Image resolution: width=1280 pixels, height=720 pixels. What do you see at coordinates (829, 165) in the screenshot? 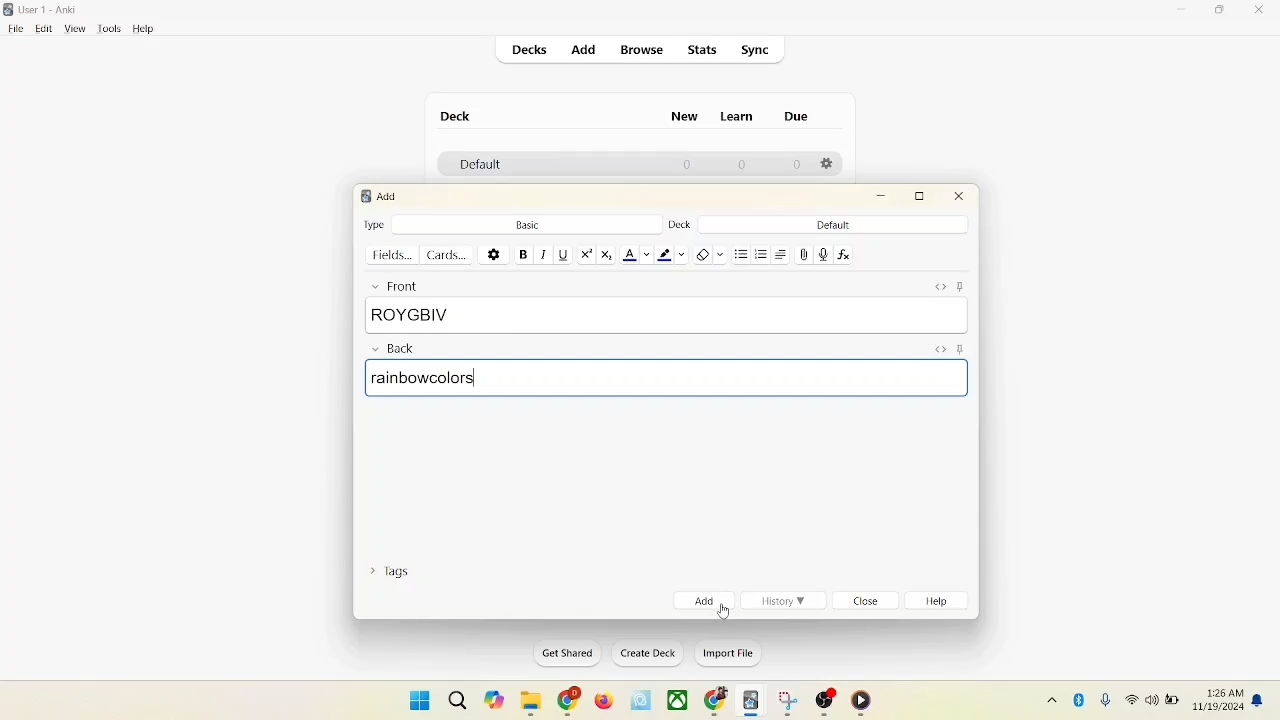
I see `Options` at bounding box center [829, 165].